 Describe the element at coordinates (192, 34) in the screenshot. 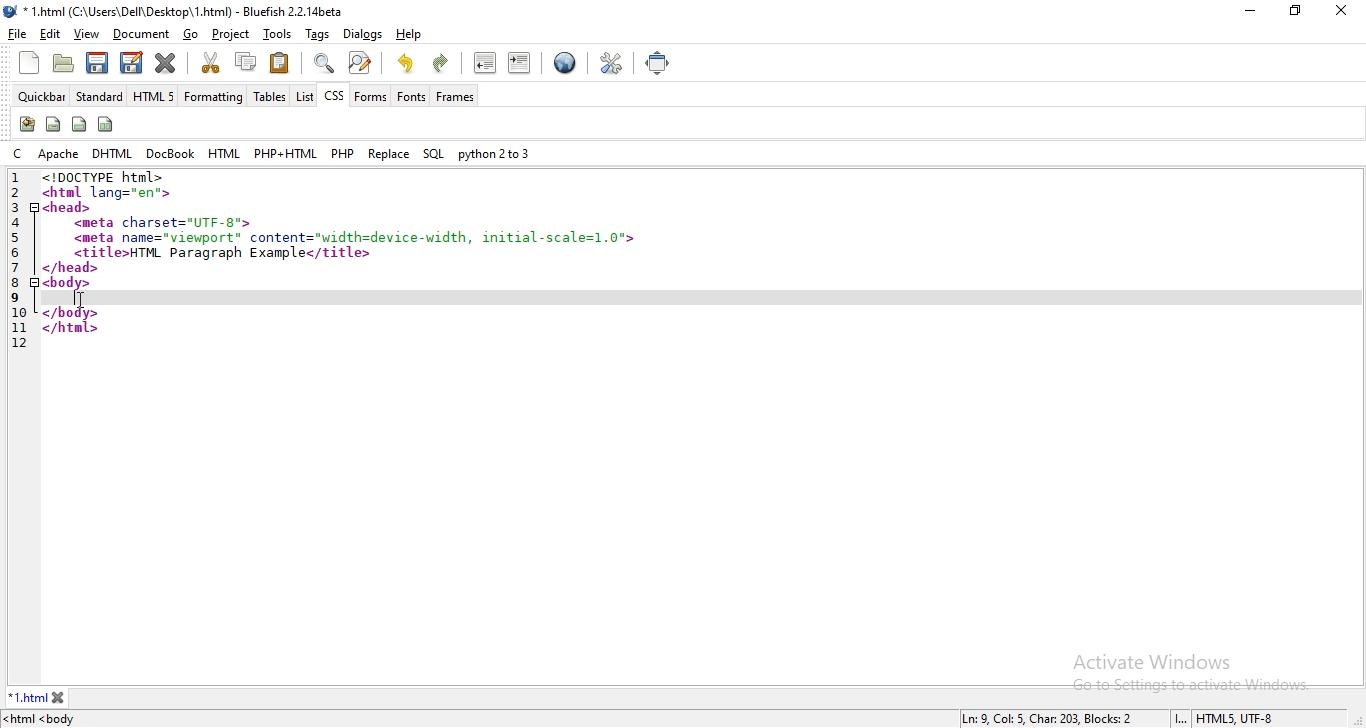

I see `go` at that location.